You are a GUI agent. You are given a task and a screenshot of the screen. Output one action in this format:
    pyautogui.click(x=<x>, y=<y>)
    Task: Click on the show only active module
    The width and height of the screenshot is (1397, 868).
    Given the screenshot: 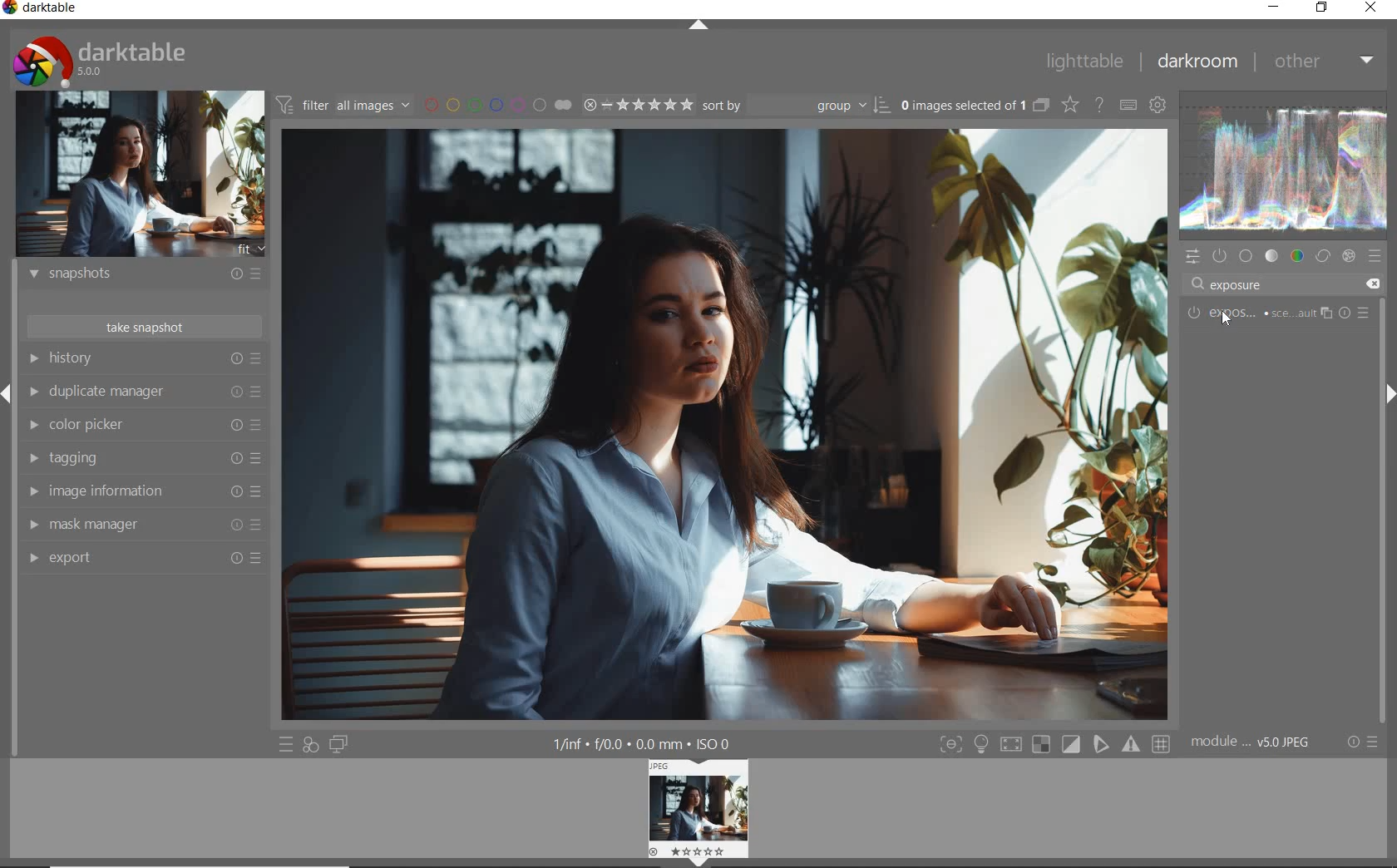 What is the action you would take?
    pyautogui.click(x=1221, y=255)
    